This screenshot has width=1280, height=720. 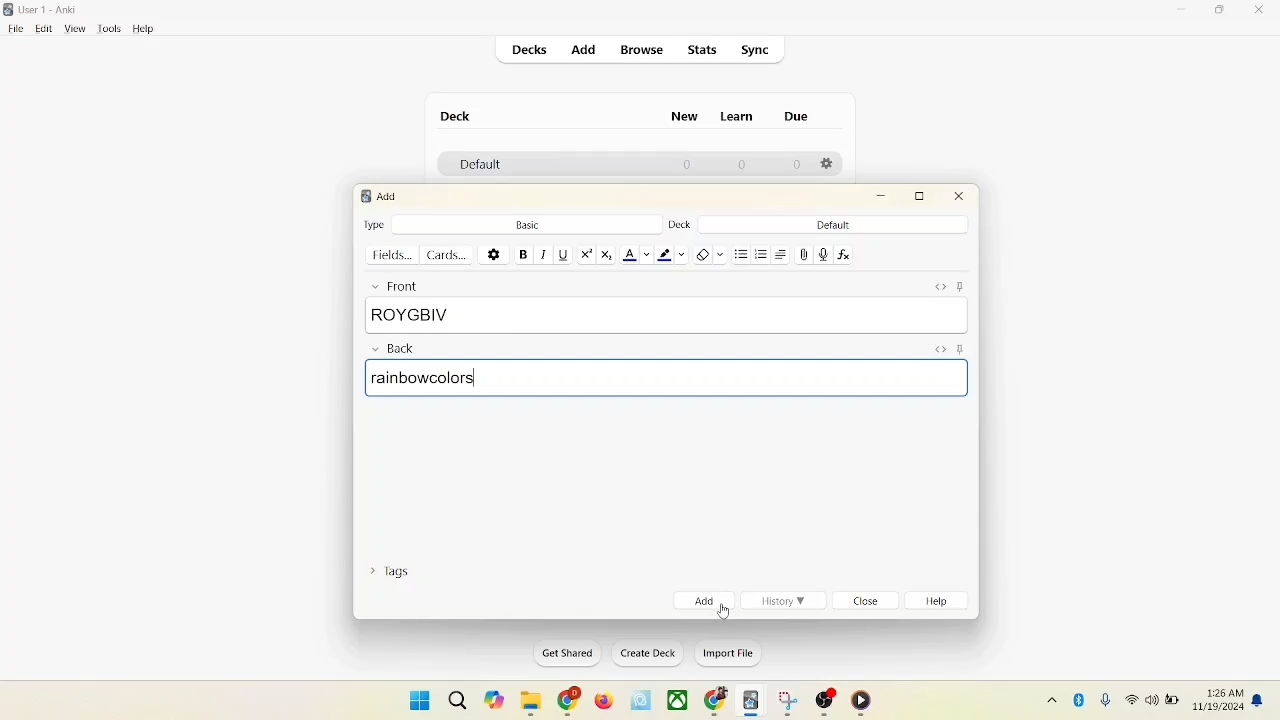 What do you see at coordinates (456, 116) in the screenshot?
I see `deck` at bounding box center [456, 116].